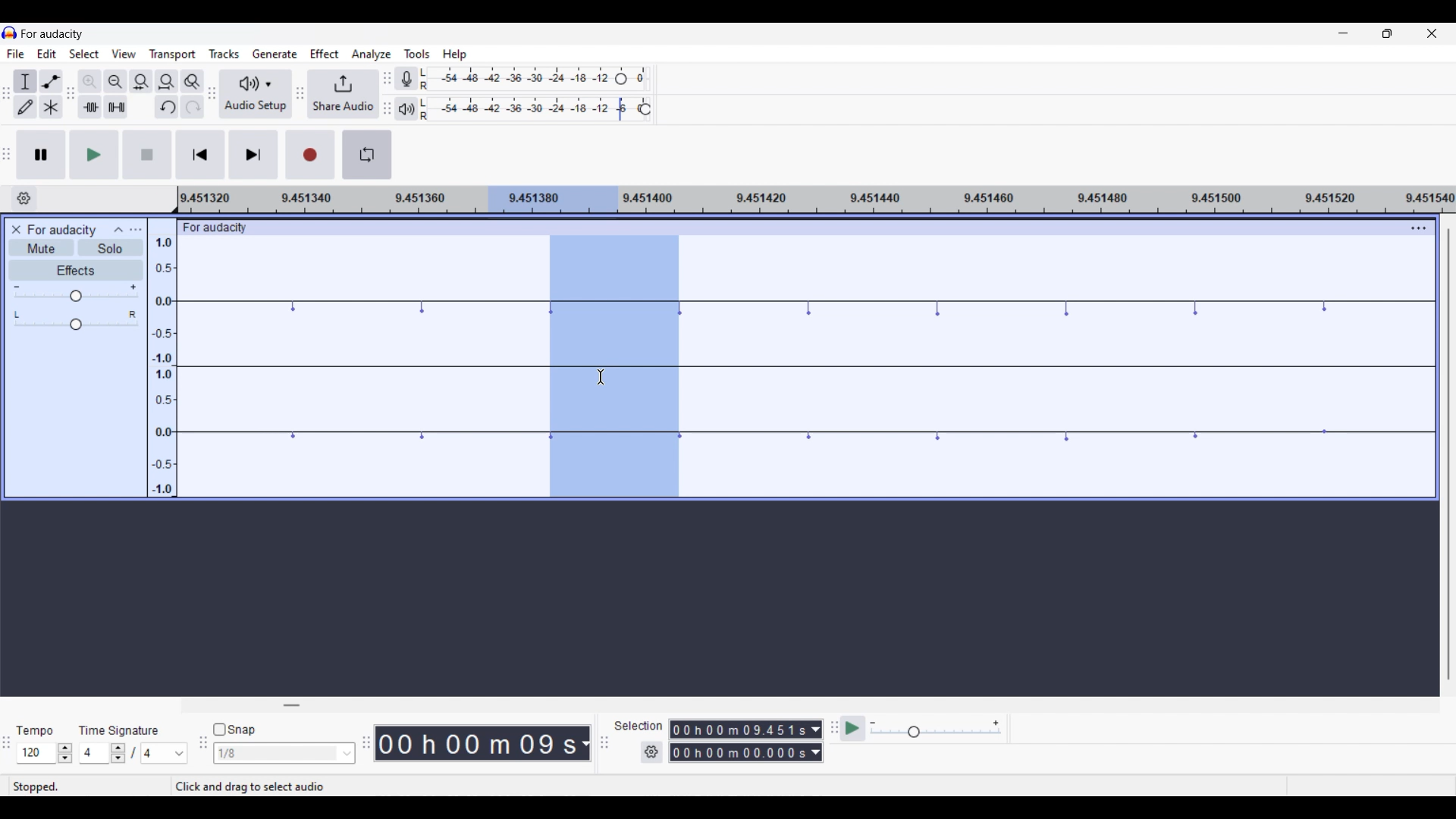 The image size is (1456, 819). I want to click on Skip/Select to end, so click(253, 155).